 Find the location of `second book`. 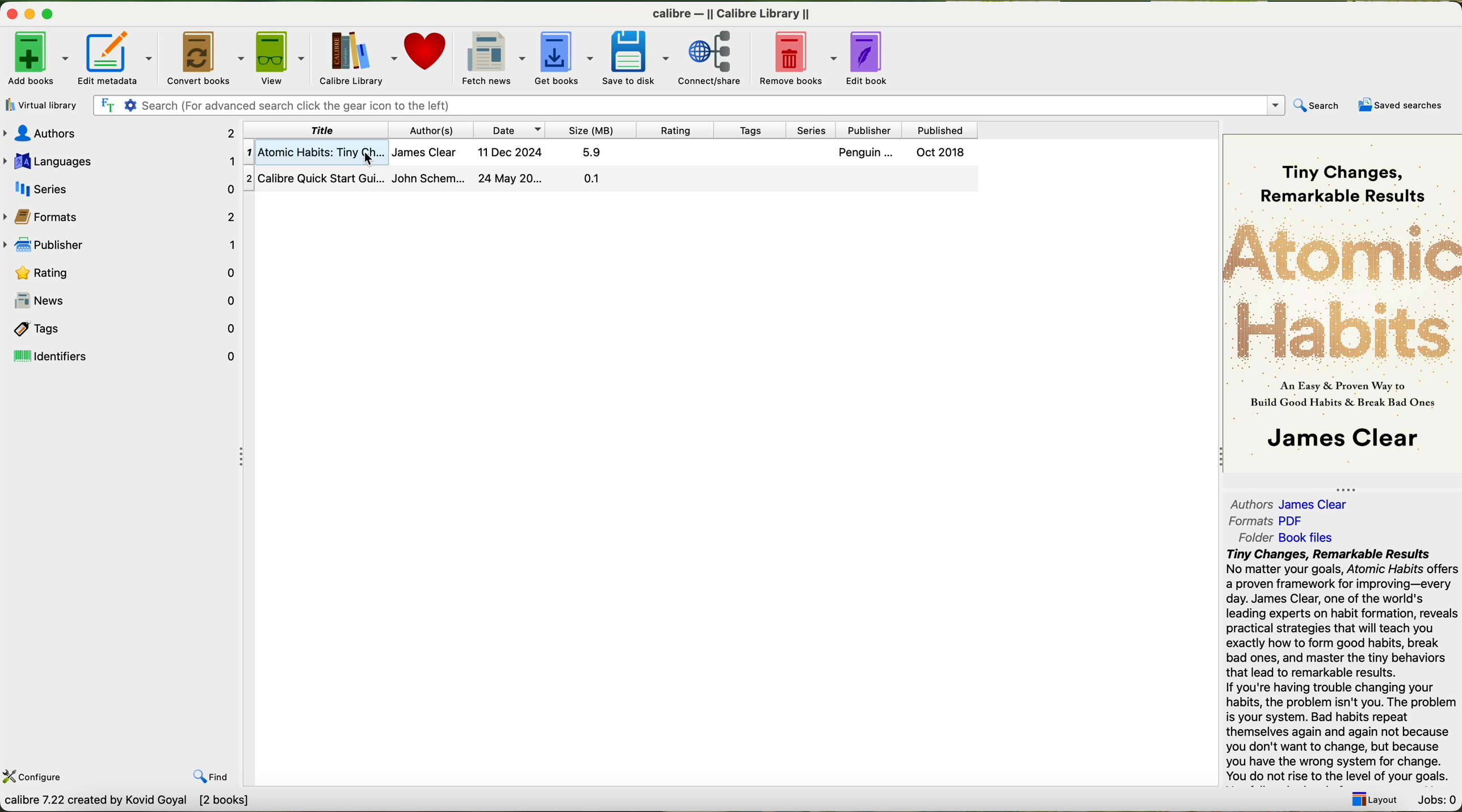

second book is located at coordinates (610, 178).